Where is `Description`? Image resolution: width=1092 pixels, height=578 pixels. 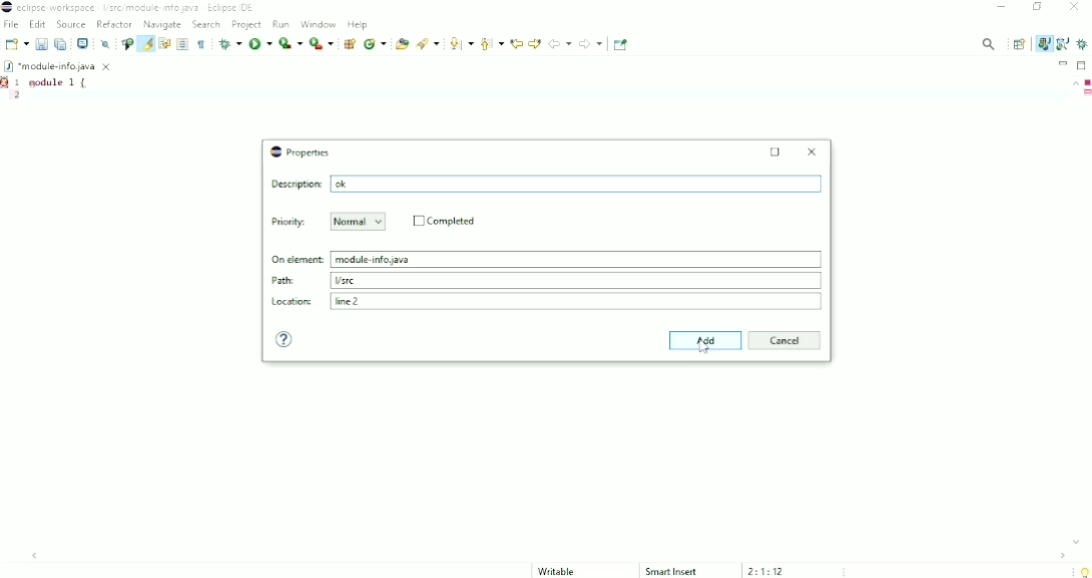
Description is located at coordinates (546, 184).